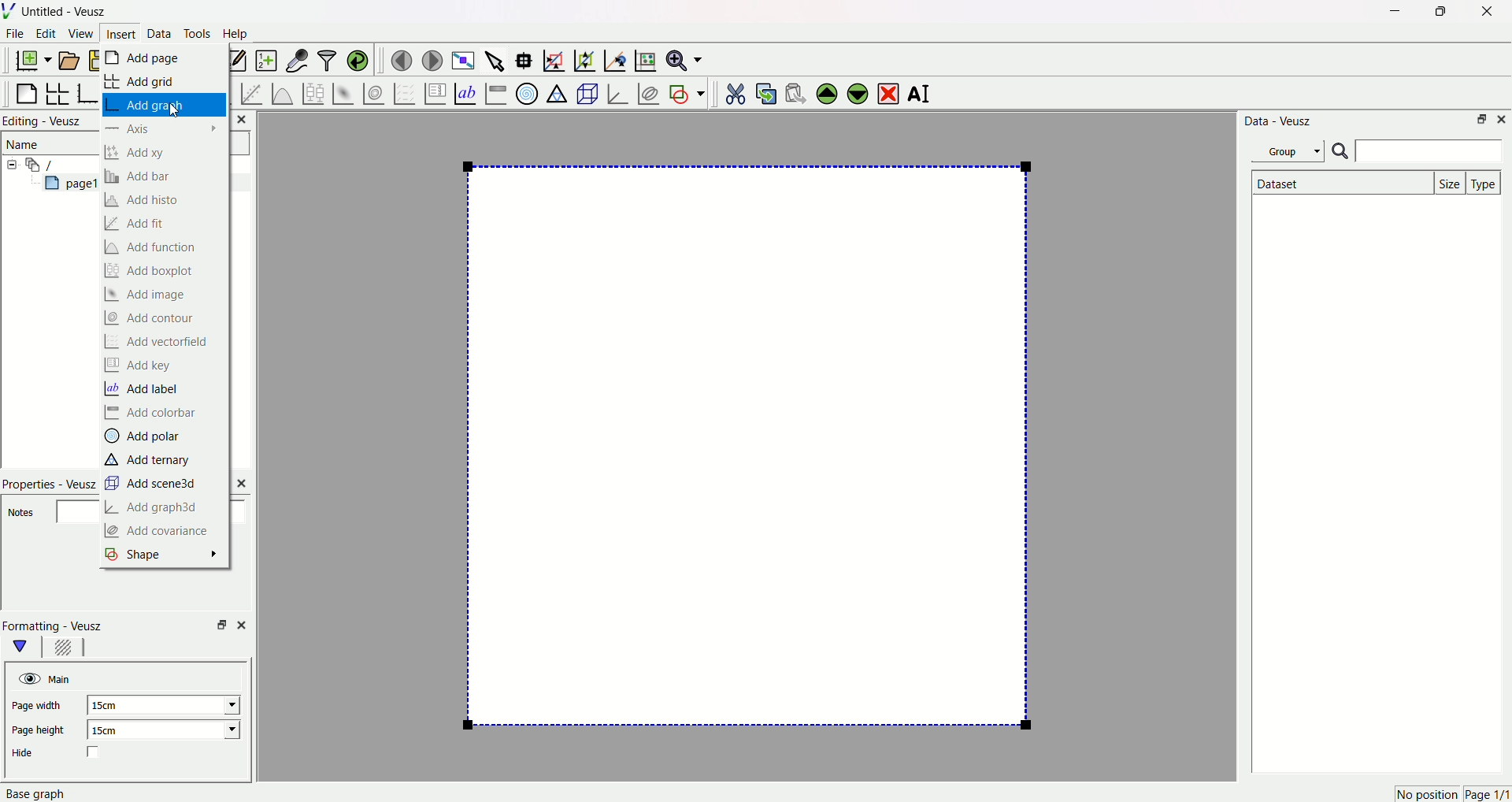 This screenshot has height=802, width=1512. Describe the element at coordinates (765, 91) in the screenshot. I see `copy the widgets` at that location.